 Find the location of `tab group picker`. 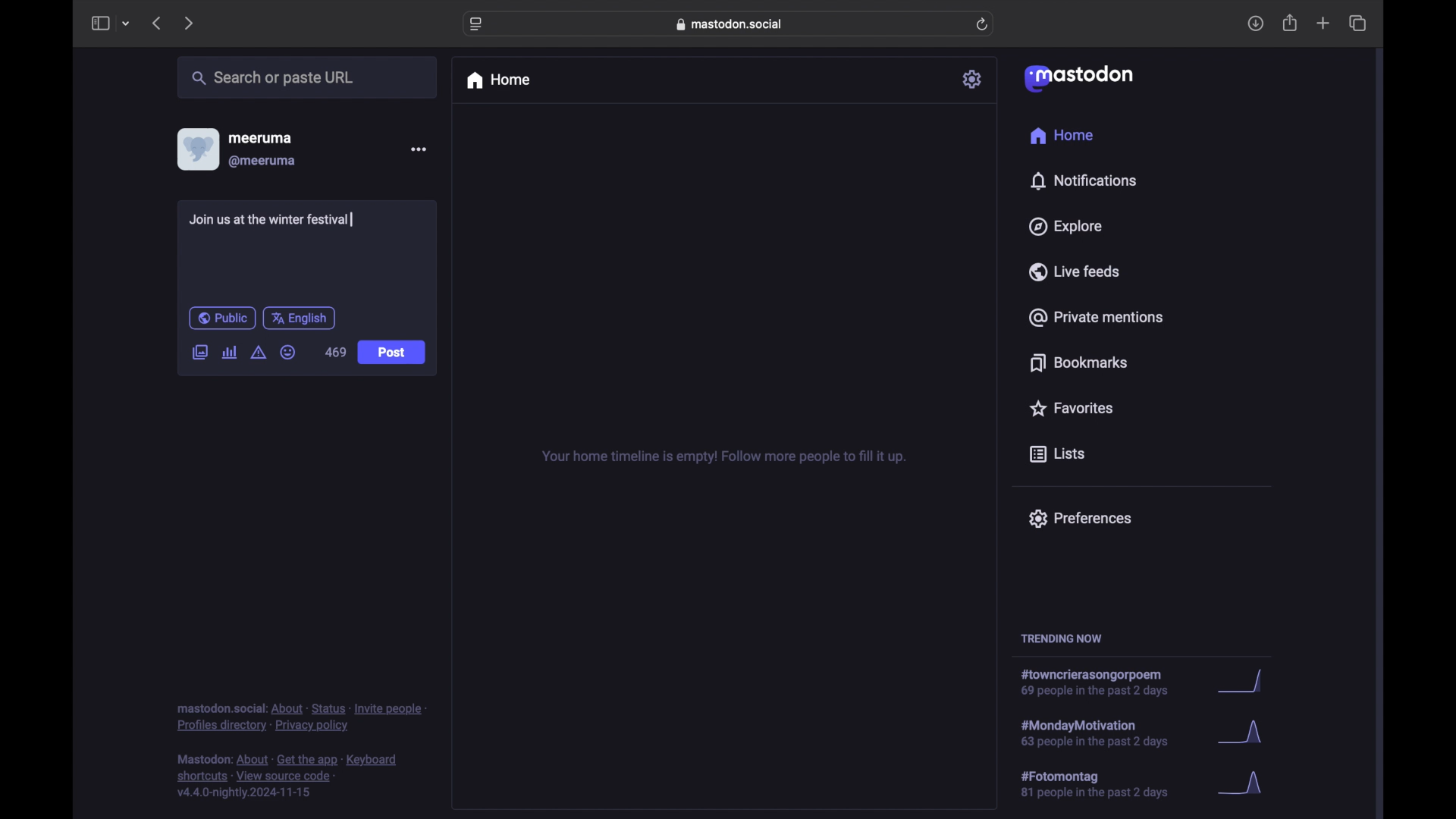

tab group picker is located at coordinates (126, 24).